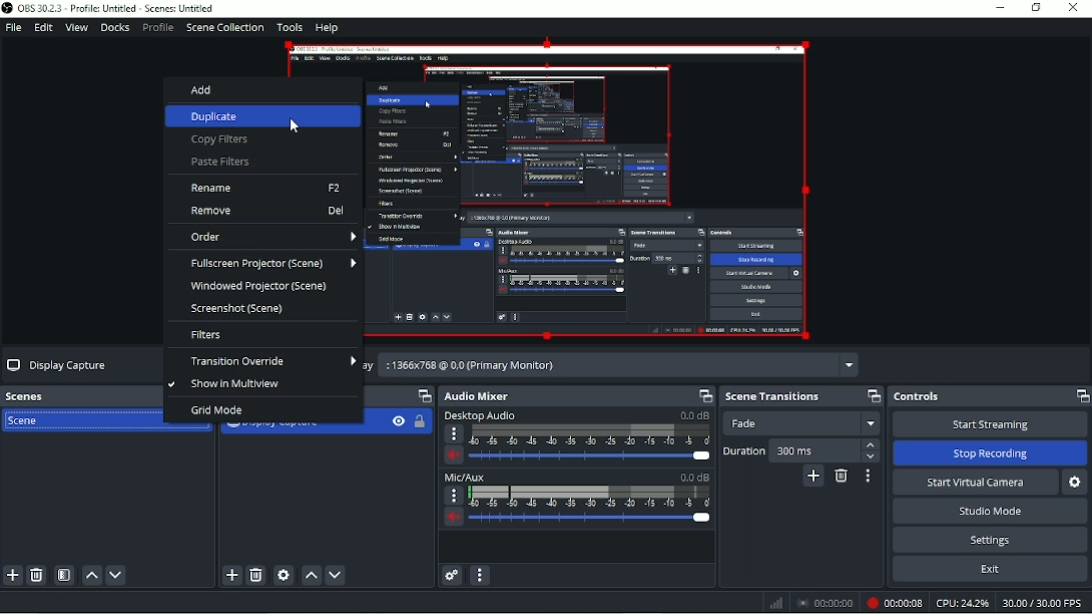 The height and width of the screenshot is (614, 1092). Describe the element at coordinates (622, 364) in the screenshot. I see `Display 1366x768 @ 0,0 (Primary Monitor)` at that location.